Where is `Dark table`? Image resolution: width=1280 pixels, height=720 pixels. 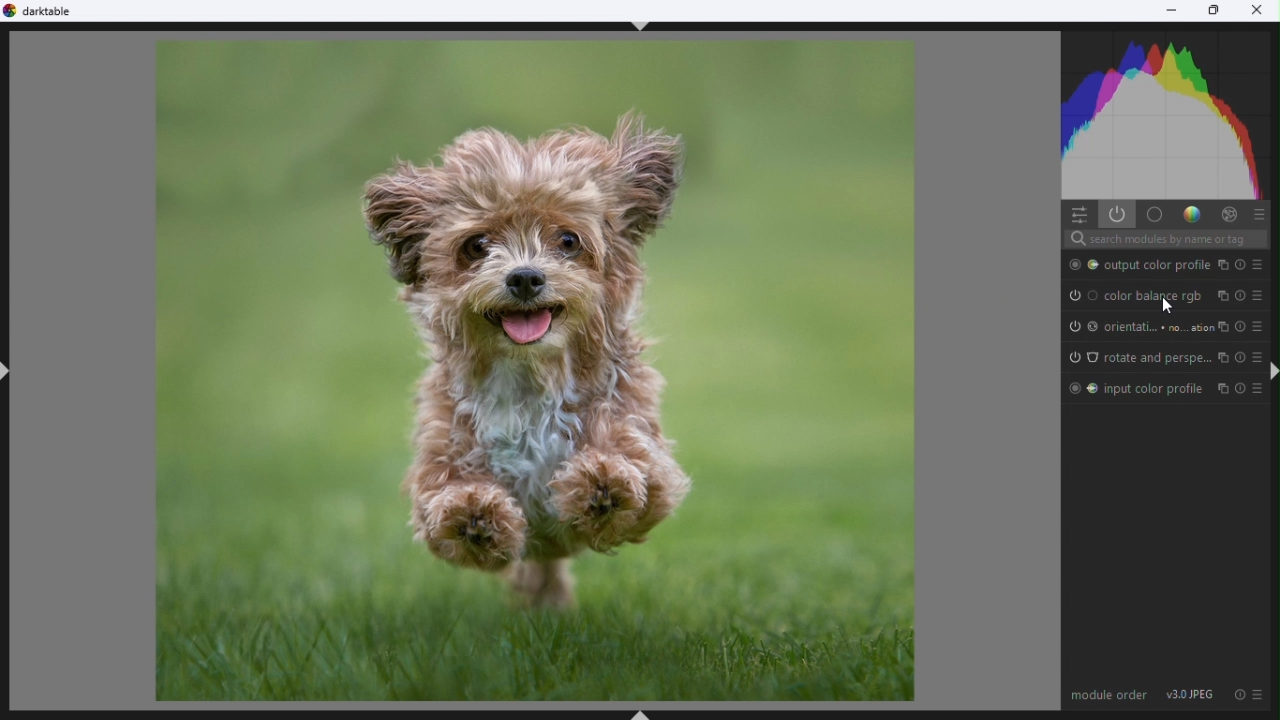
Dark table is located at coordinates (44, 13).